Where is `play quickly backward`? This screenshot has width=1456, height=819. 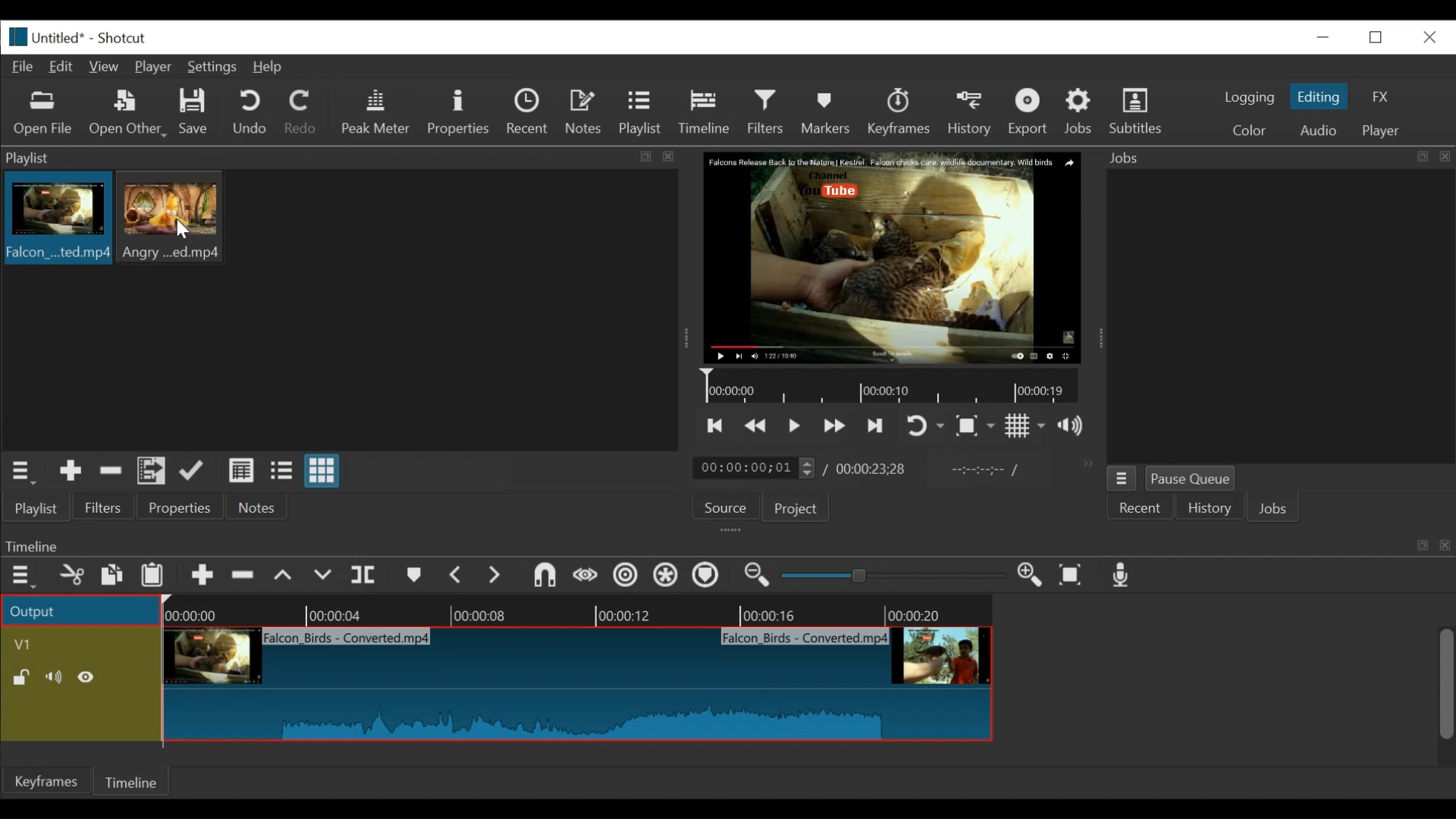
play quickly backward is located at coordinates (756, 426).